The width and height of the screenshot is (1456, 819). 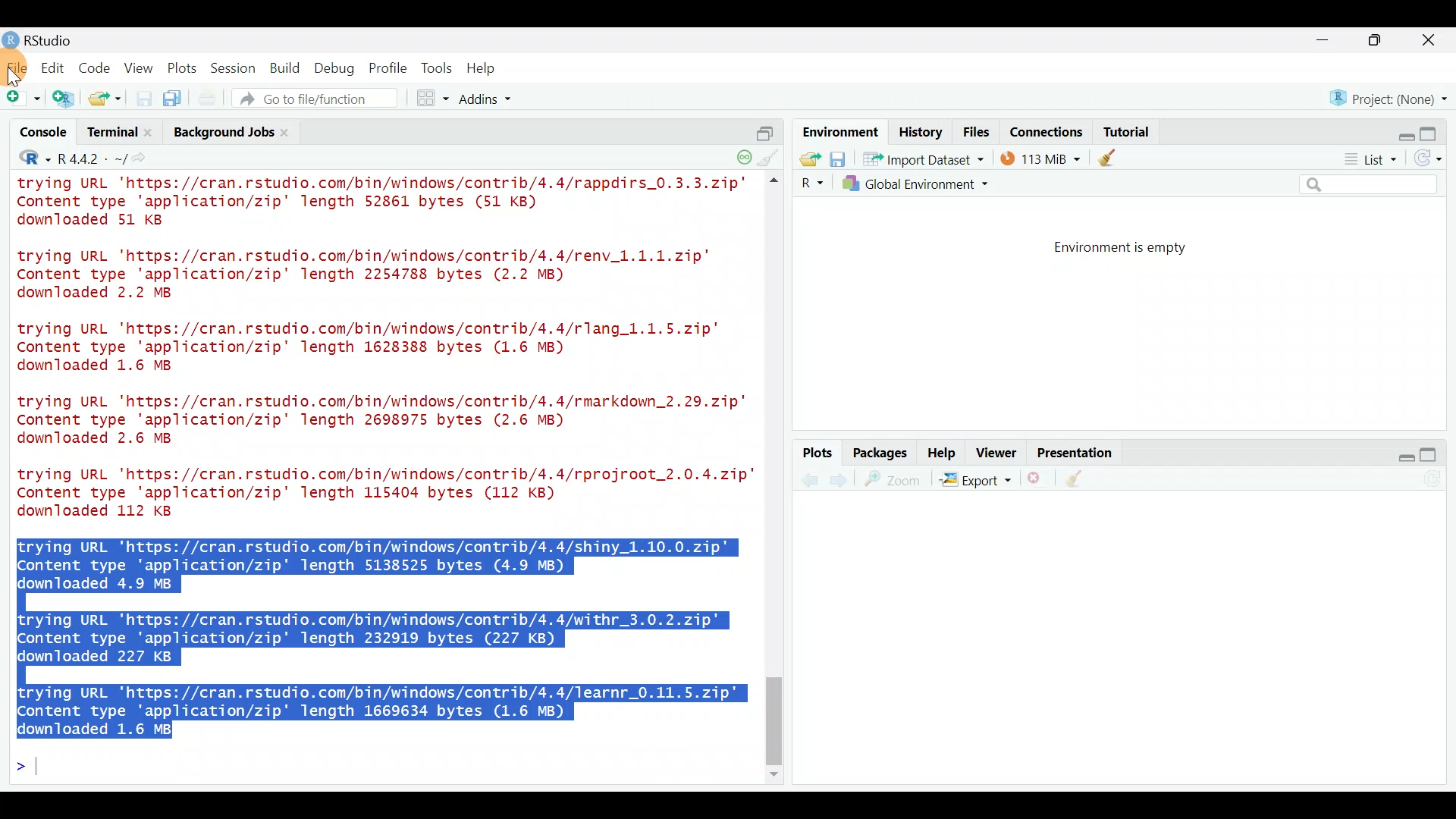 I want to click on Edit, so click(x=55, y=69).